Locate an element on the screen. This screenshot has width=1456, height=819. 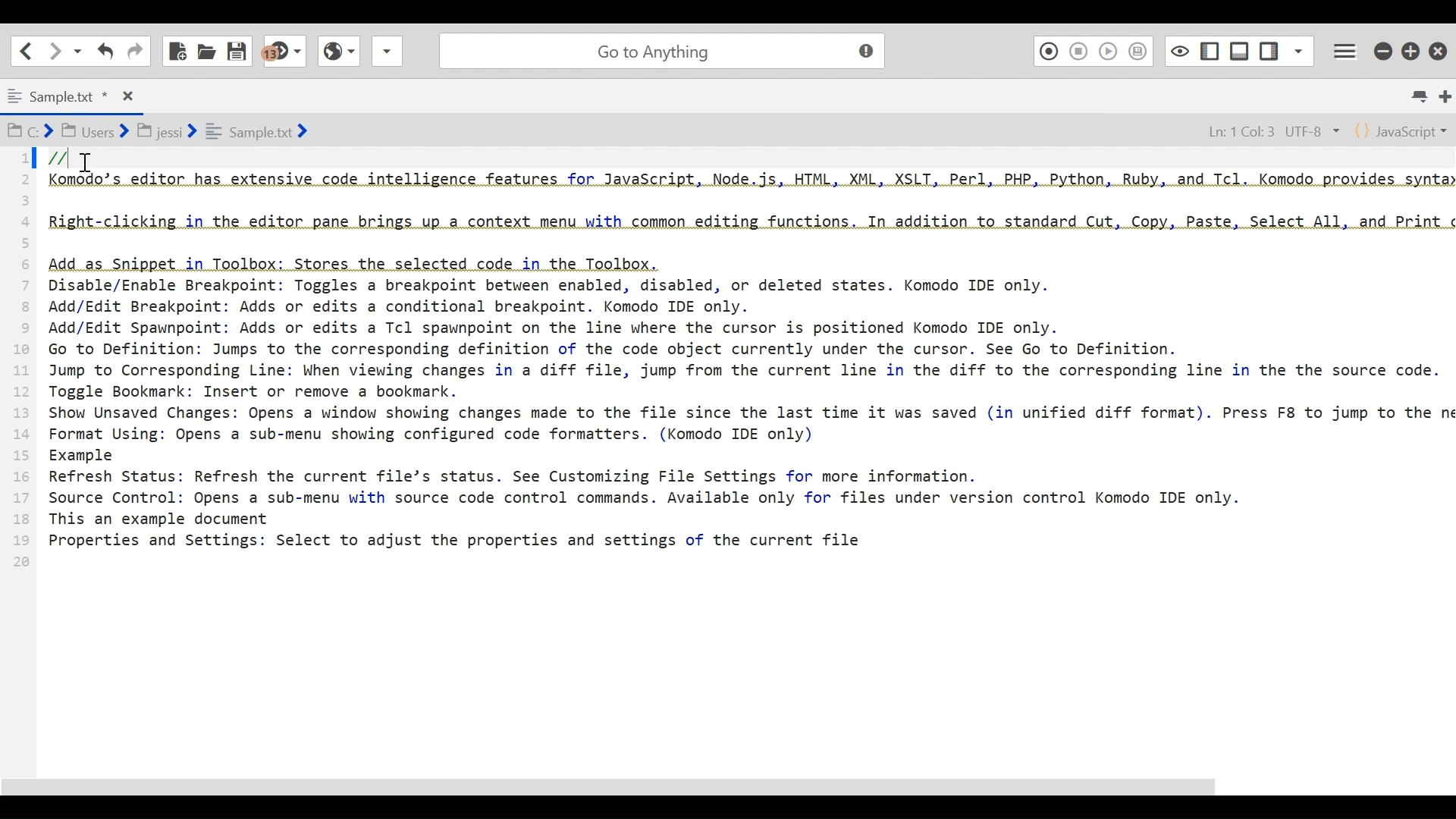
File Type is located at coordinates (1402, 130).